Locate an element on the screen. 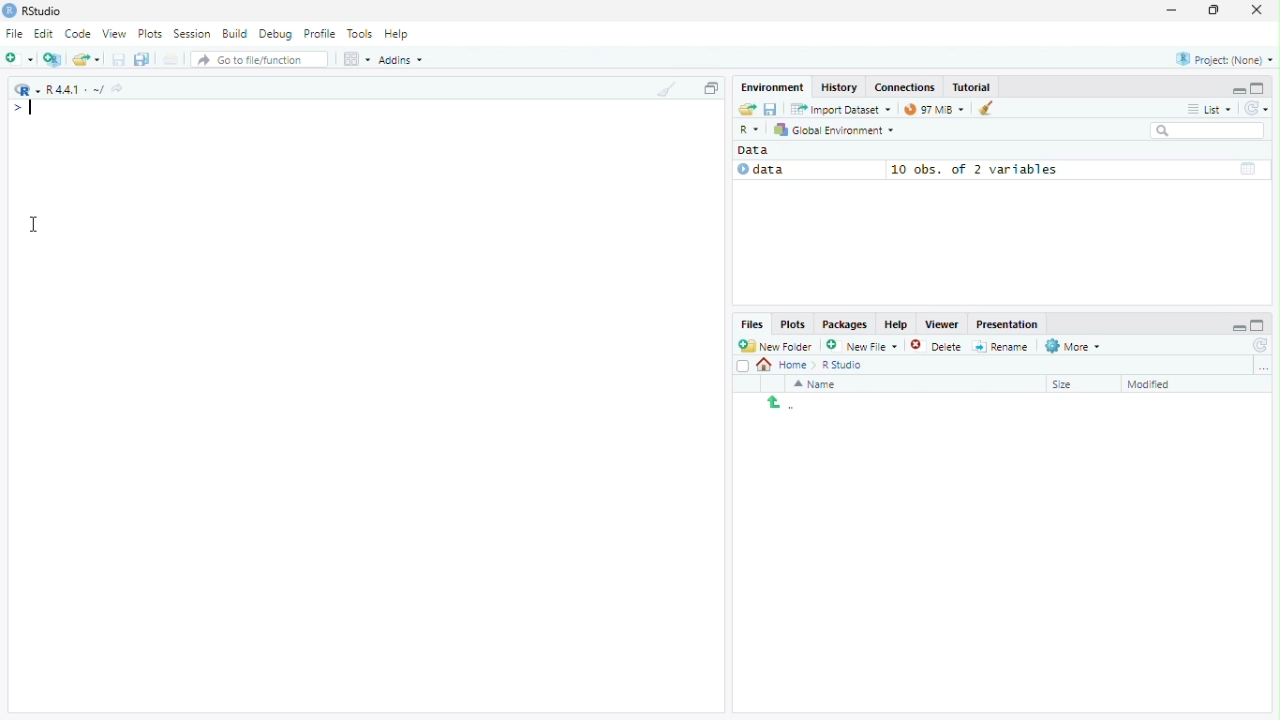 This screenshot has width=1280, height=720. Viewer is located at coordinates (941, 324).